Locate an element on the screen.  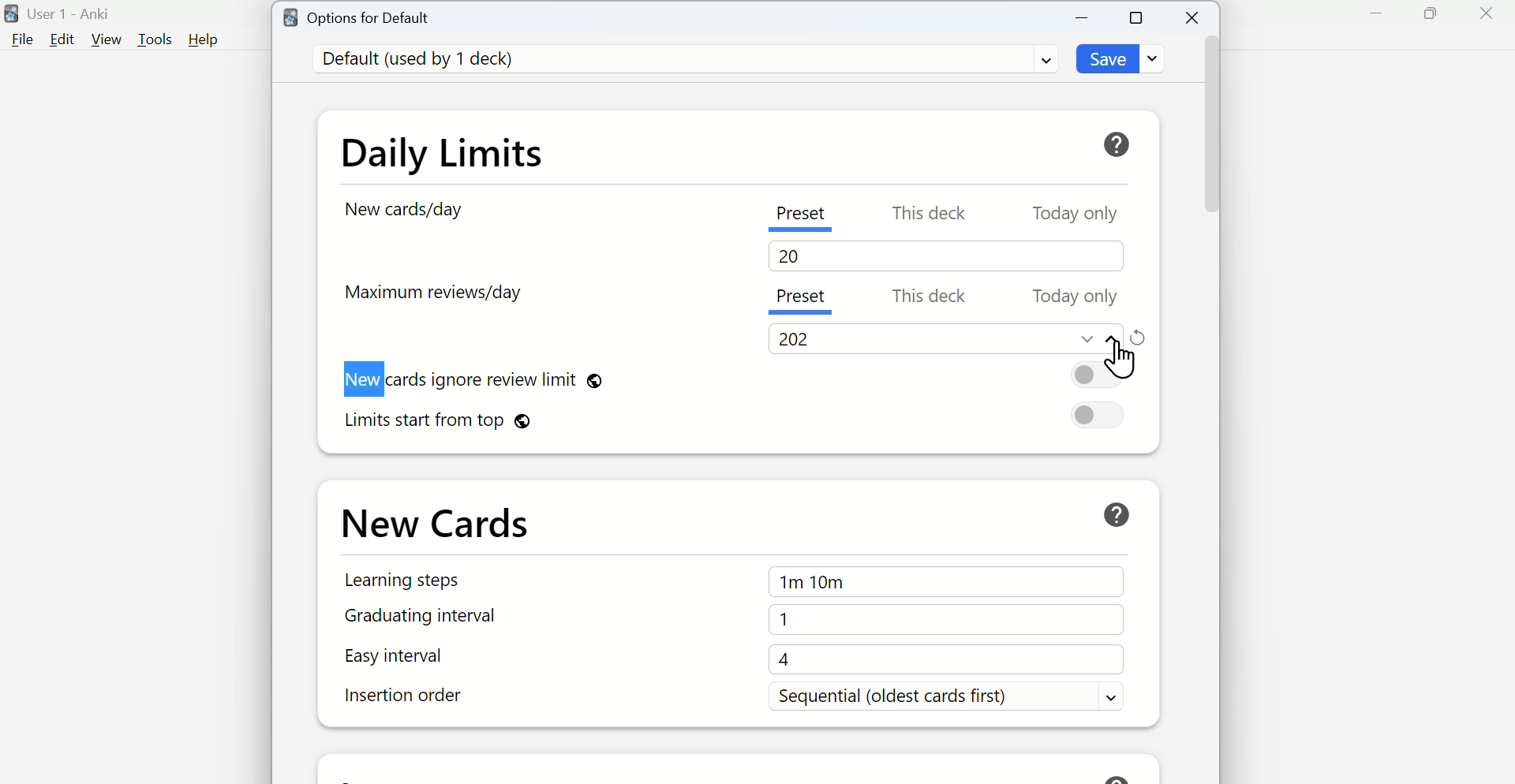
Options for Default is located at coordinates (357, 16).